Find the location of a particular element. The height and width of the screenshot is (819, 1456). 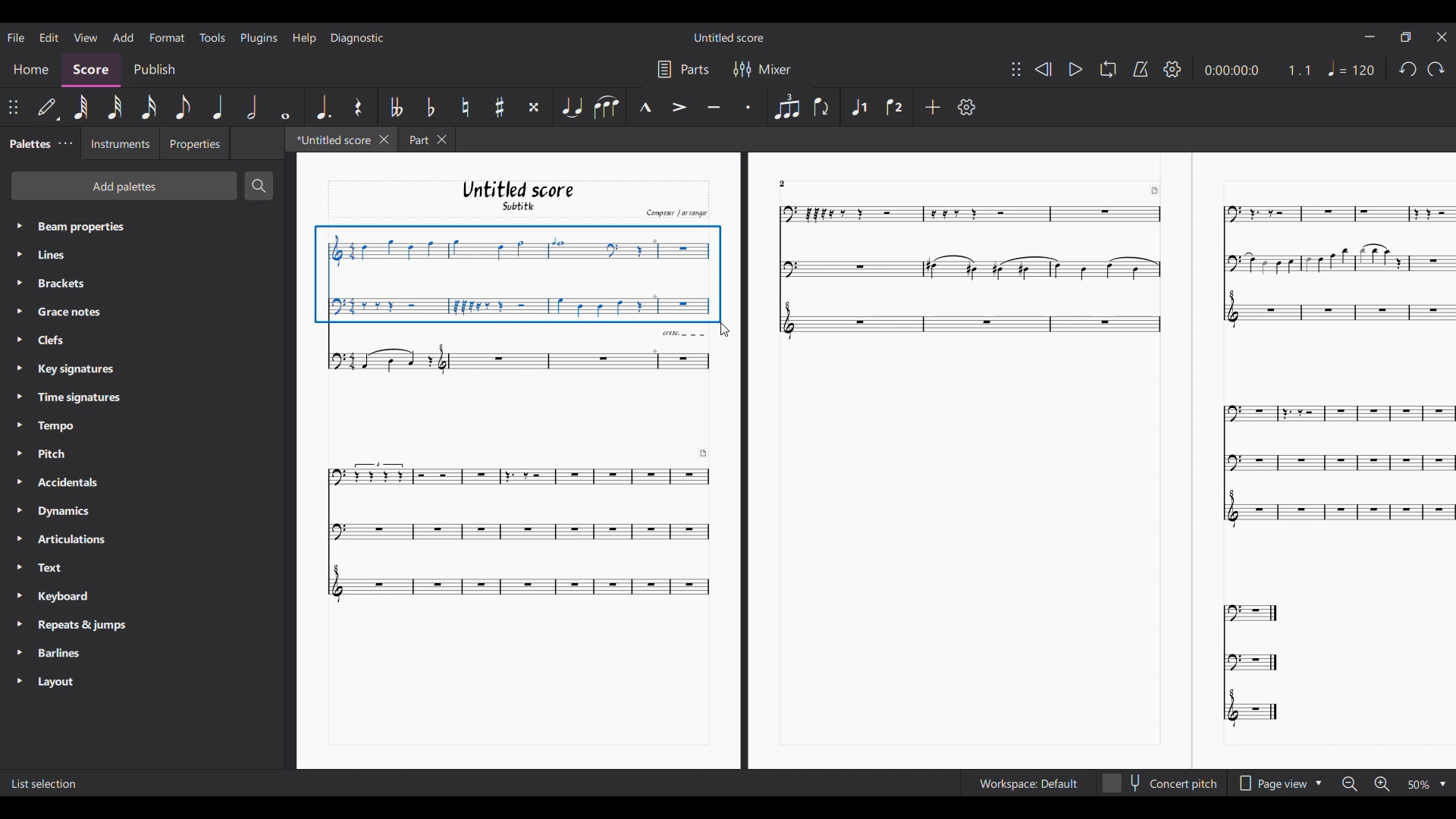

Half note is located at coordinates (253, 107).